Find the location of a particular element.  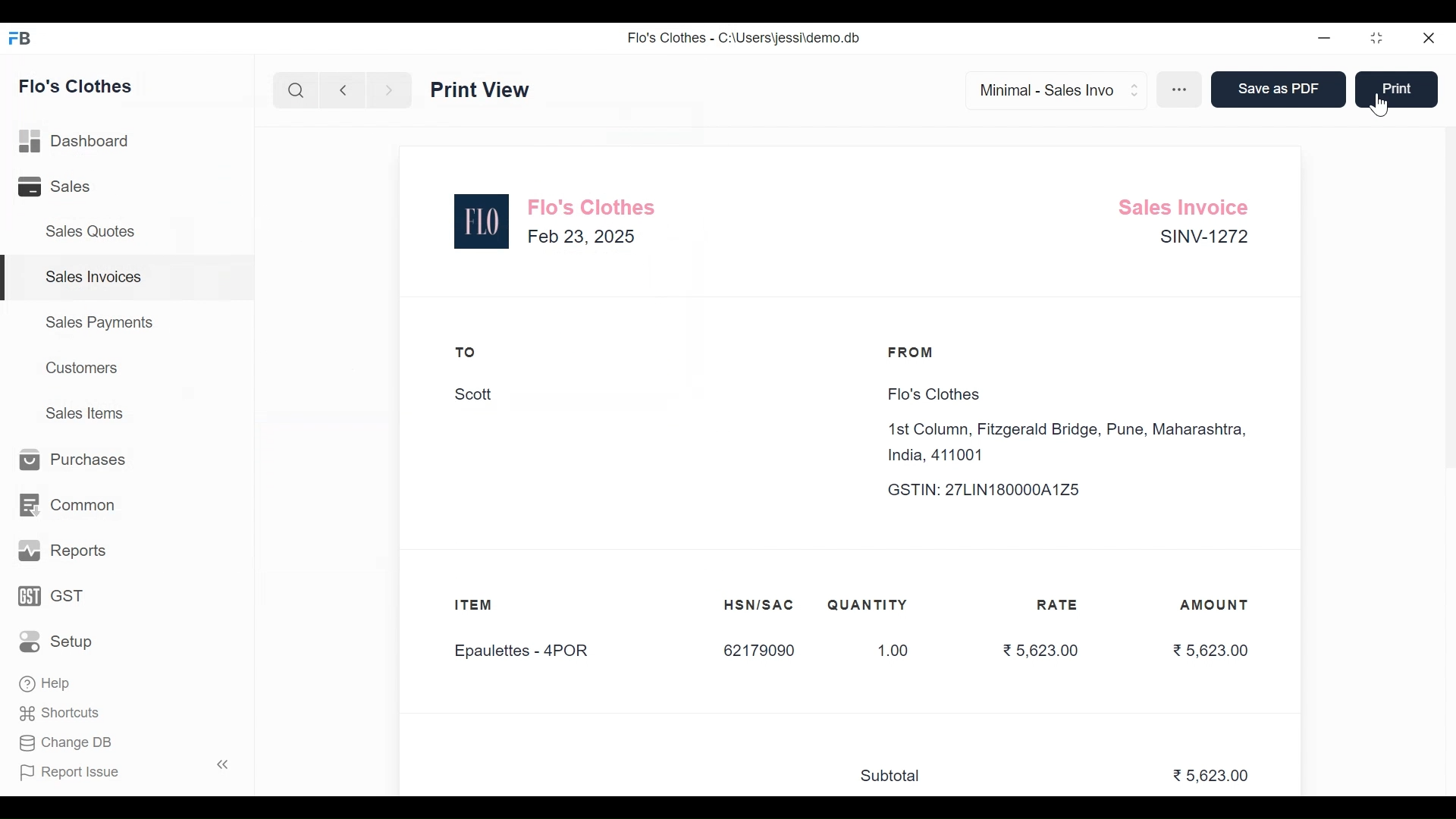

Reports is located at coordinates (64, 549).